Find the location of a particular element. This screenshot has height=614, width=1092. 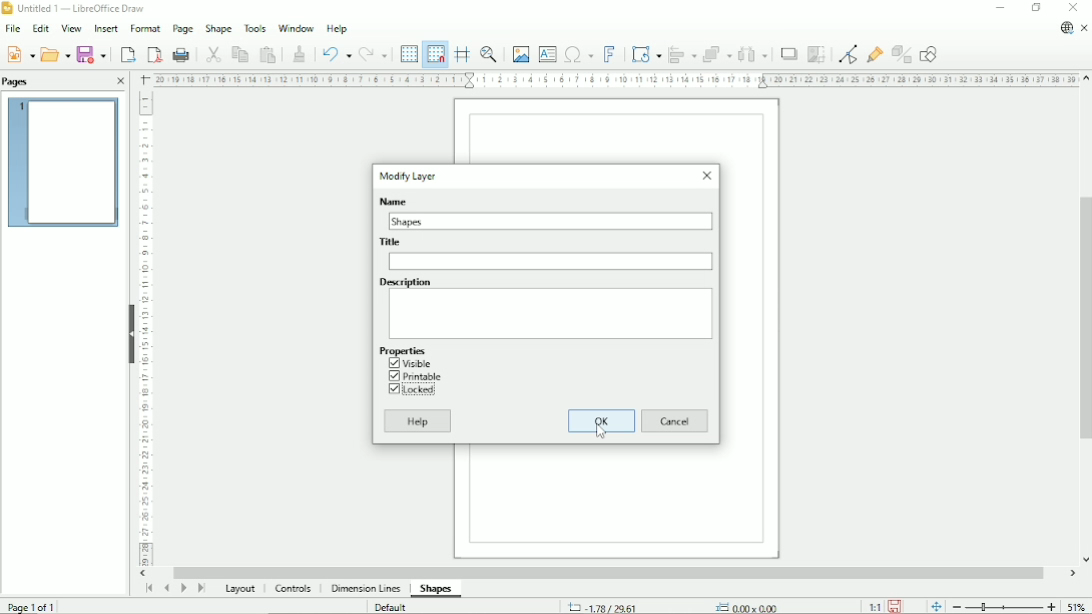

0.00x0.00 is located at coordinates (745, 606).